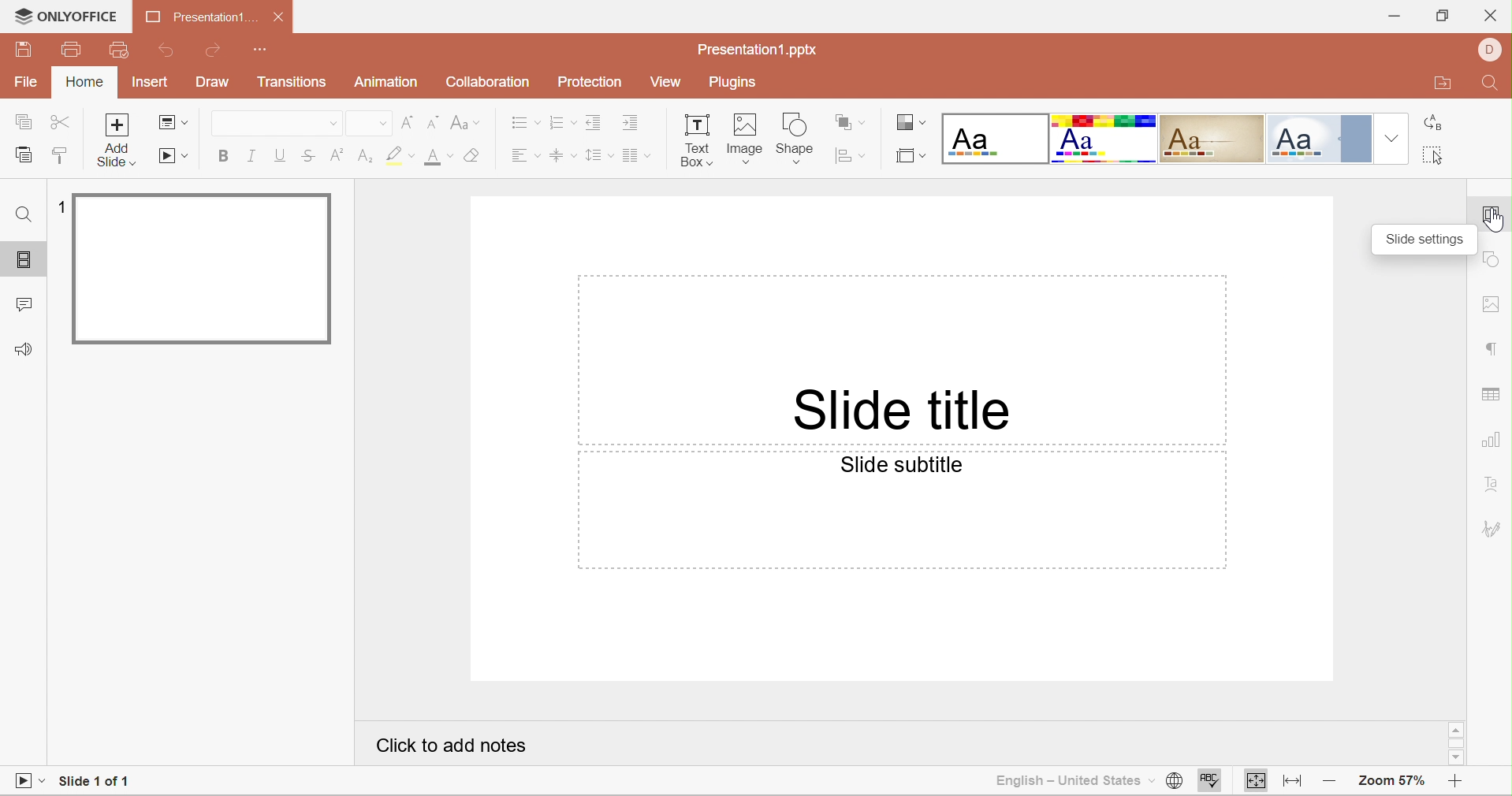 This screenshot has width=1512, height=796. Describe the element at coordinates (1495, 485) in the screenshot. I see `Text Art settings` at that location.